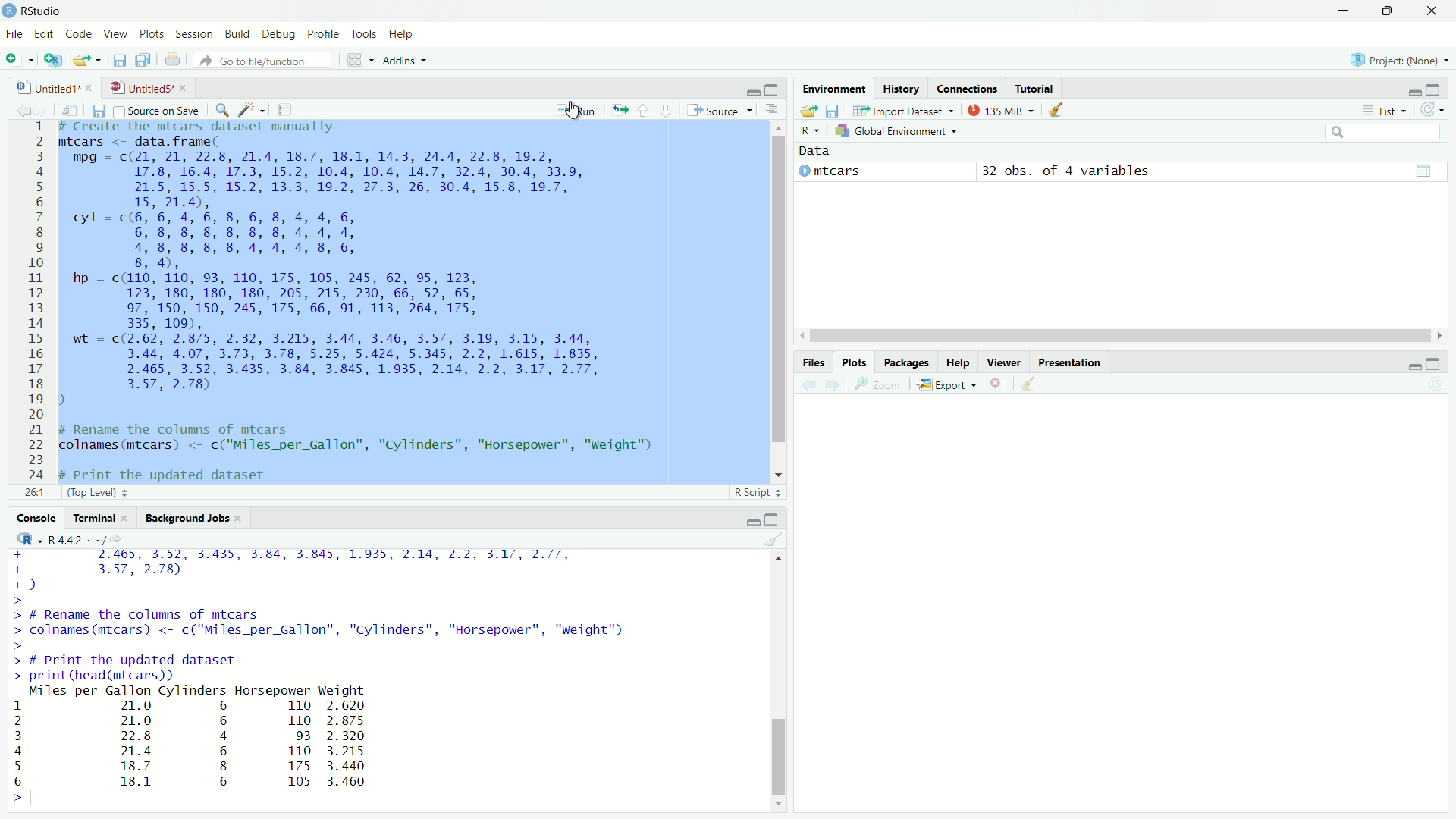 This screenshot has width=1456, height=819. What do you see at coordinates (905, 362) in the screenshot?
I see `packages` at bounding box center [905, 362].